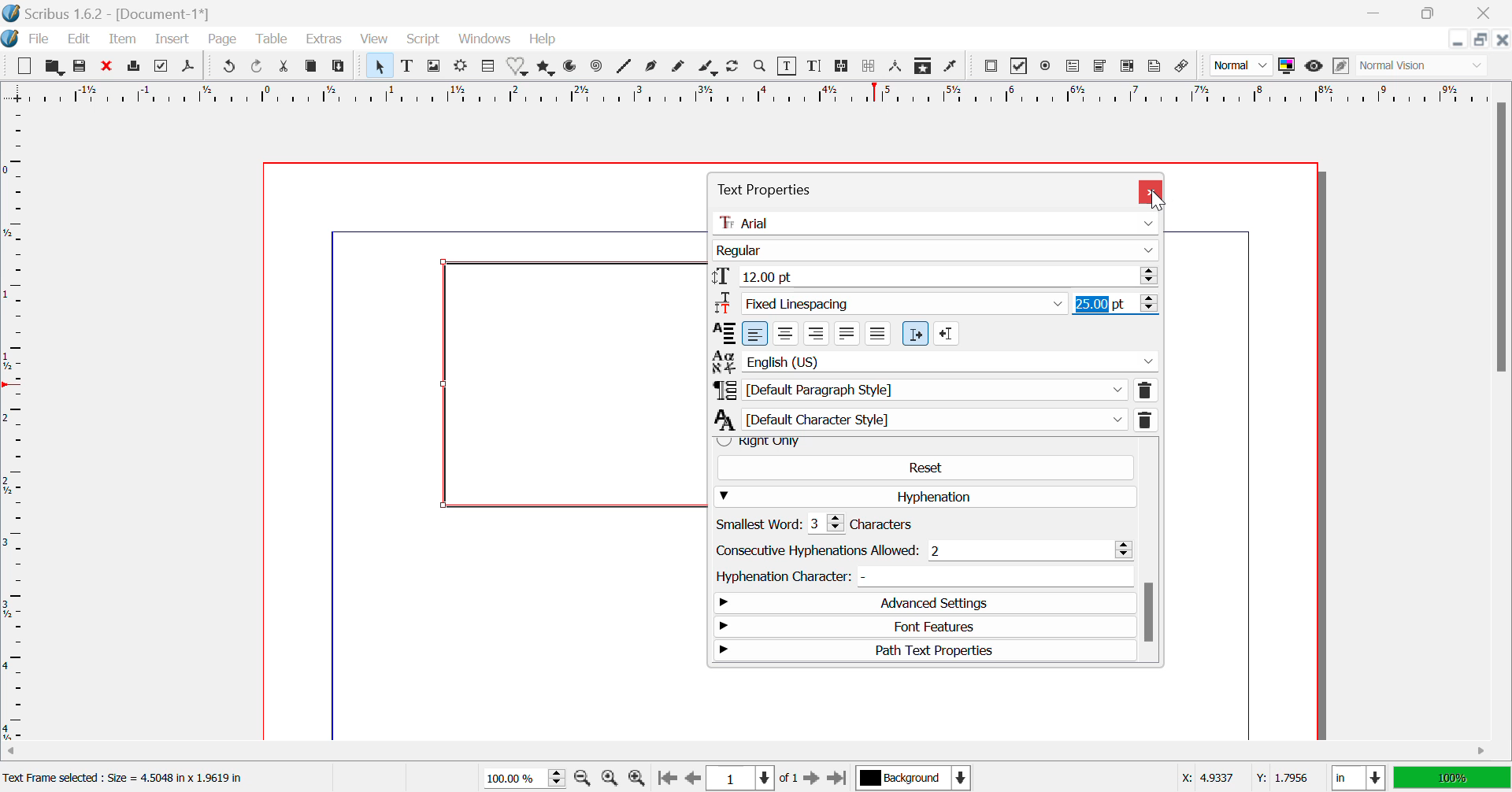 Image resolution: width=1512 pixels, height=792 pixels. Describe the element at coordinates (1378, 12) in the screenshot. I see `Restore Down` at that location.